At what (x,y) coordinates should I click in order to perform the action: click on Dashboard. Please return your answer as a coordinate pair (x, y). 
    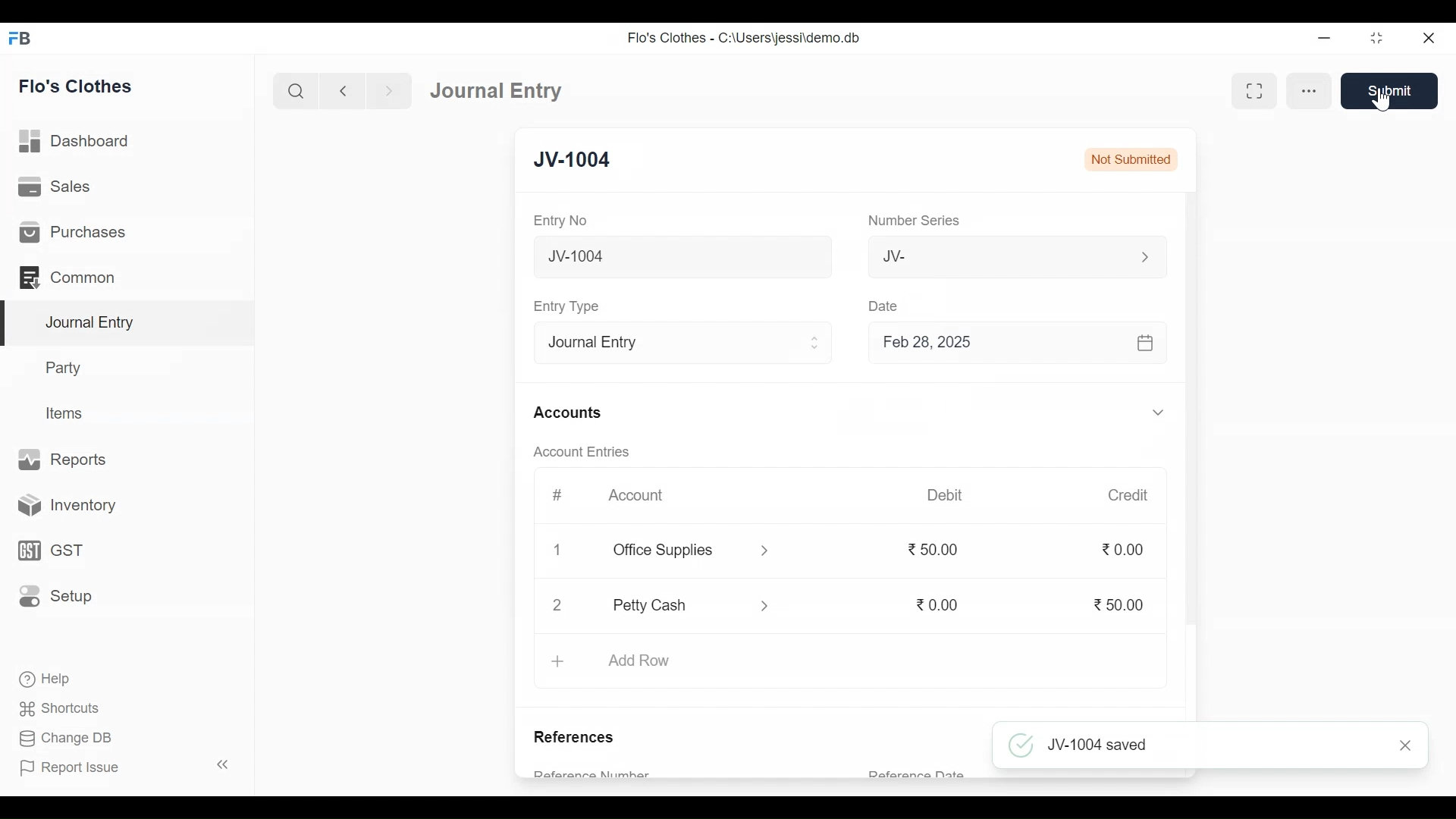
    Looking at the image, I should click on (75, 140).